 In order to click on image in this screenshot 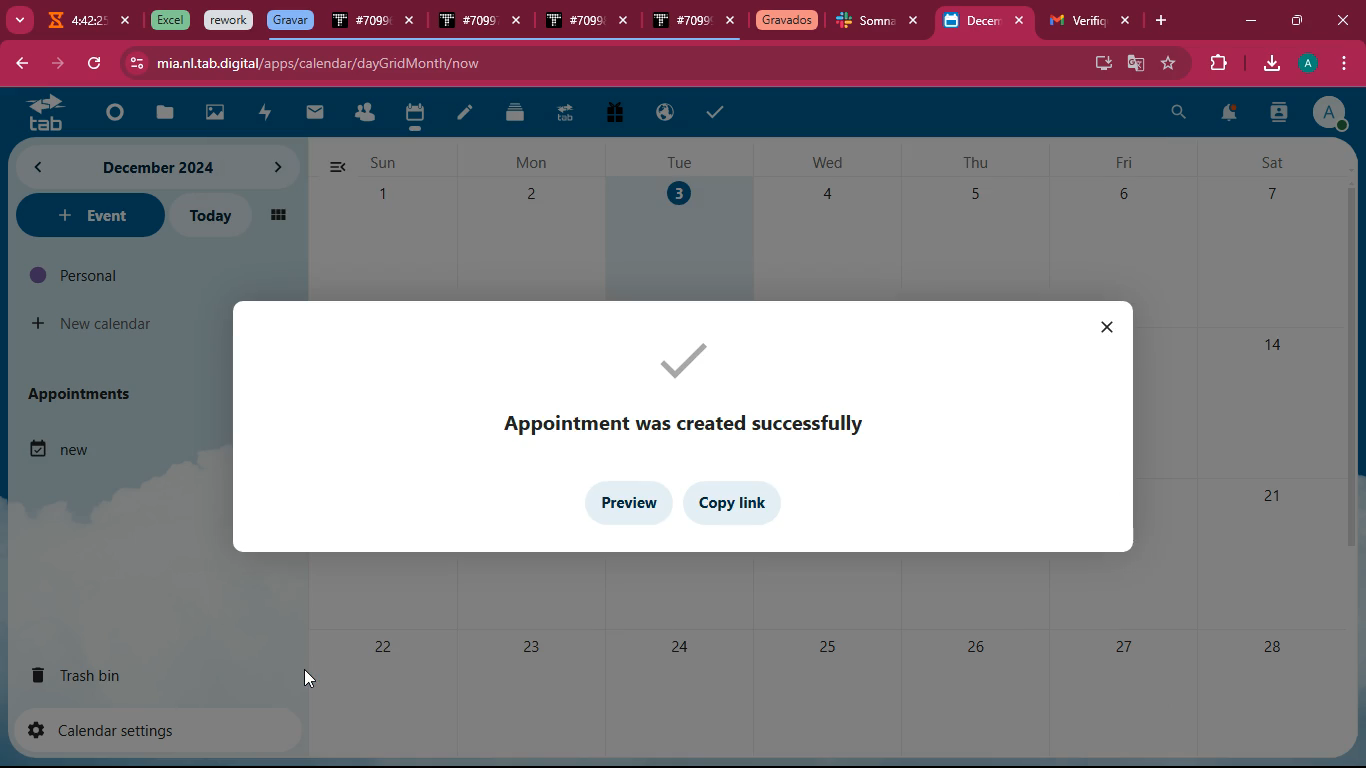, I will do `click(216, 115)`.